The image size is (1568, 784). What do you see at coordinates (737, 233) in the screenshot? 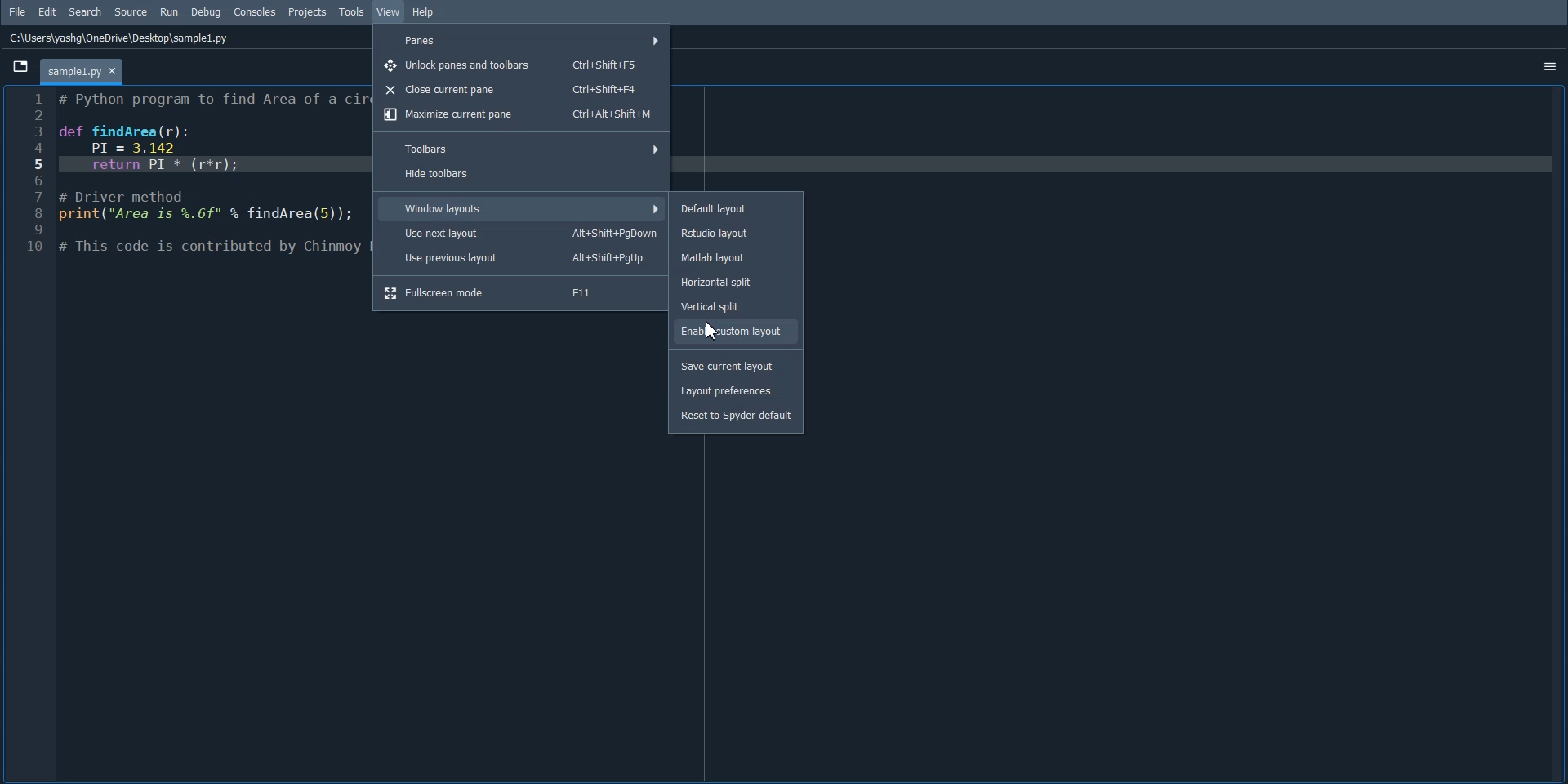
I see `Rstudio layout` at bounding box center [737, 233].